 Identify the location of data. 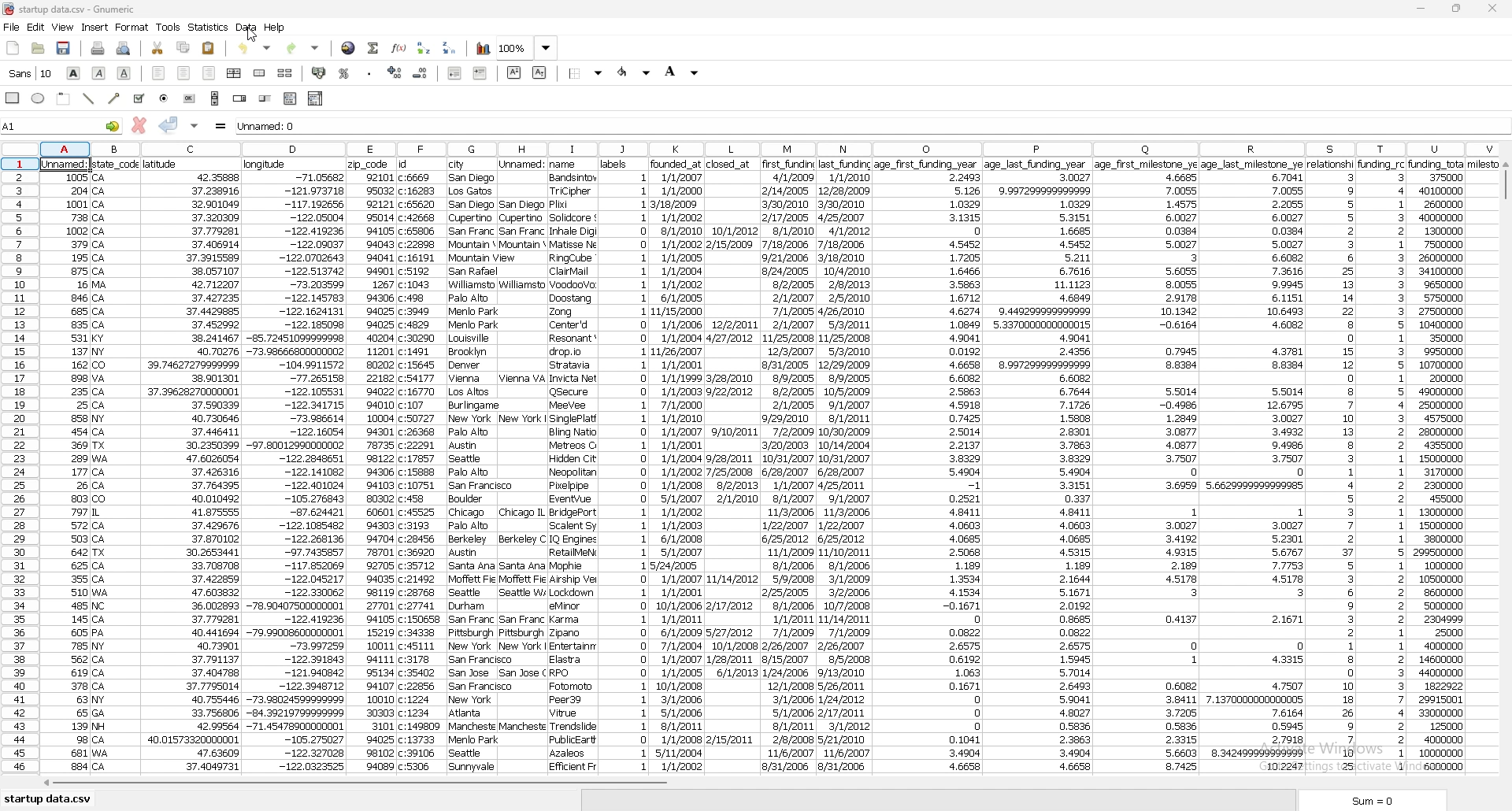
(926, 468).